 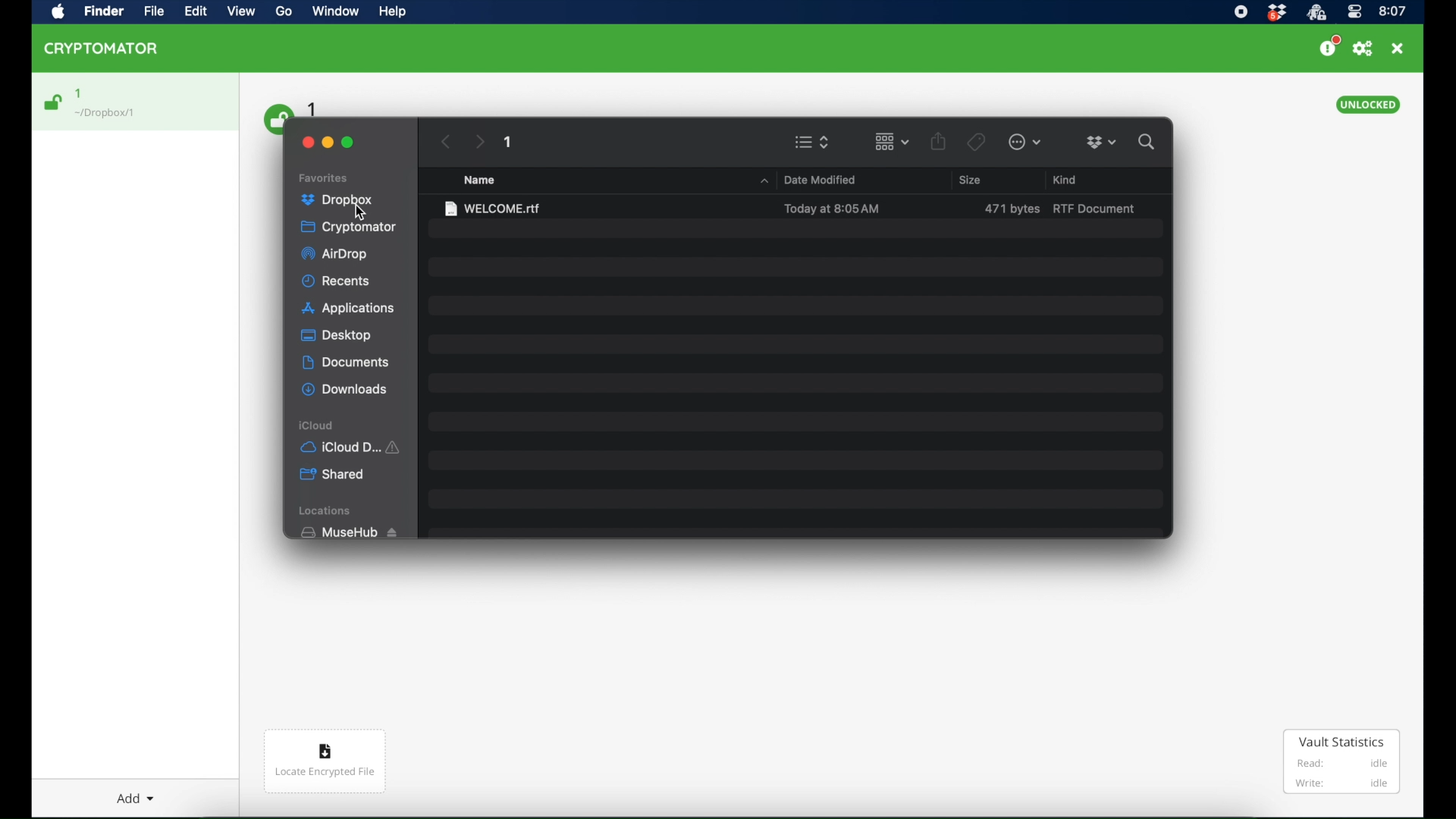 What do you see at coordinates (891, 141) in the screenshot?
I see `change item grouping` at bounding box center [891, 141].